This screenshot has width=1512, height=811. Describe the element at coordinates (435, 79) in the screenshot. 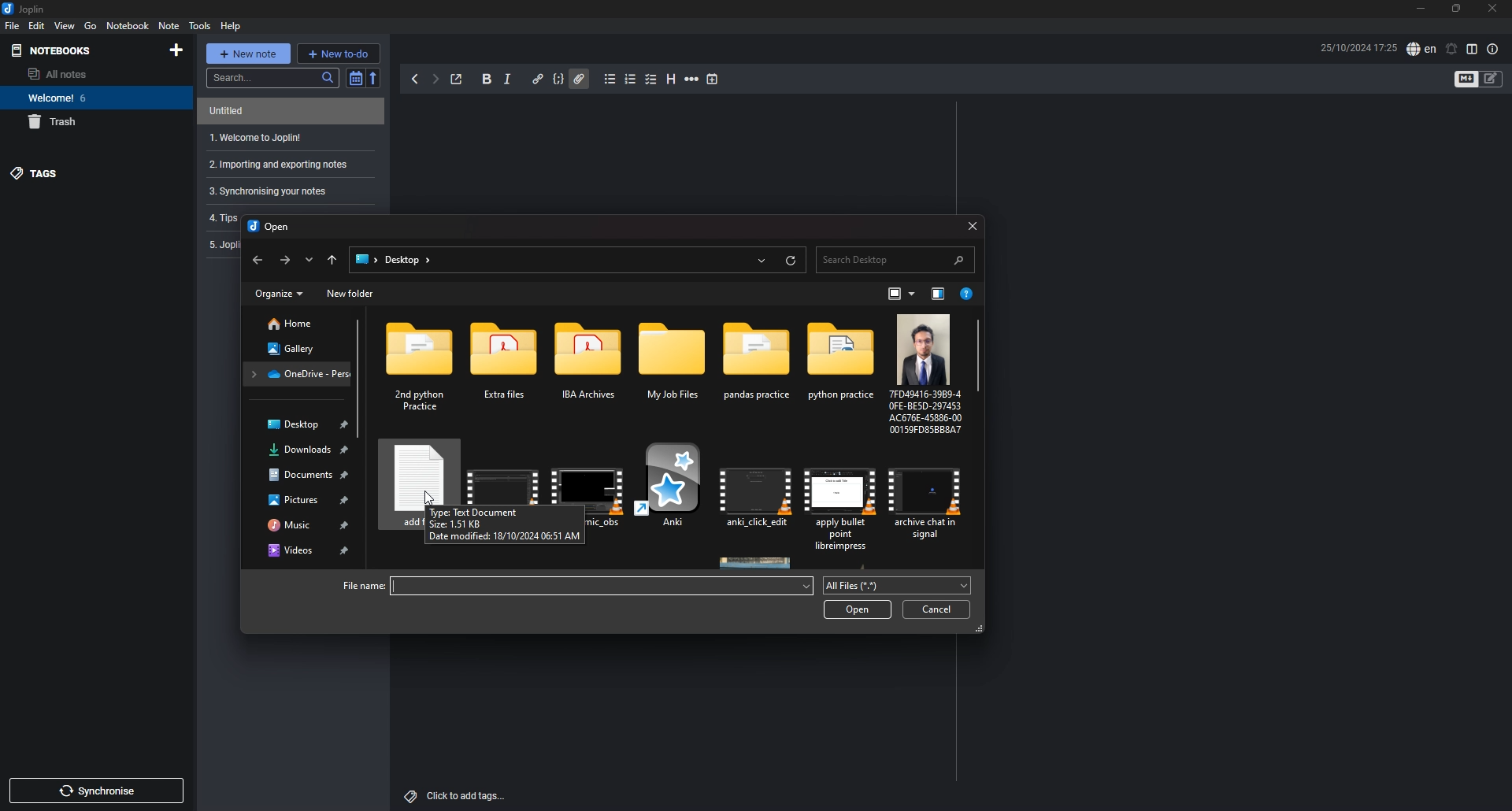

I see `forward` at that location.